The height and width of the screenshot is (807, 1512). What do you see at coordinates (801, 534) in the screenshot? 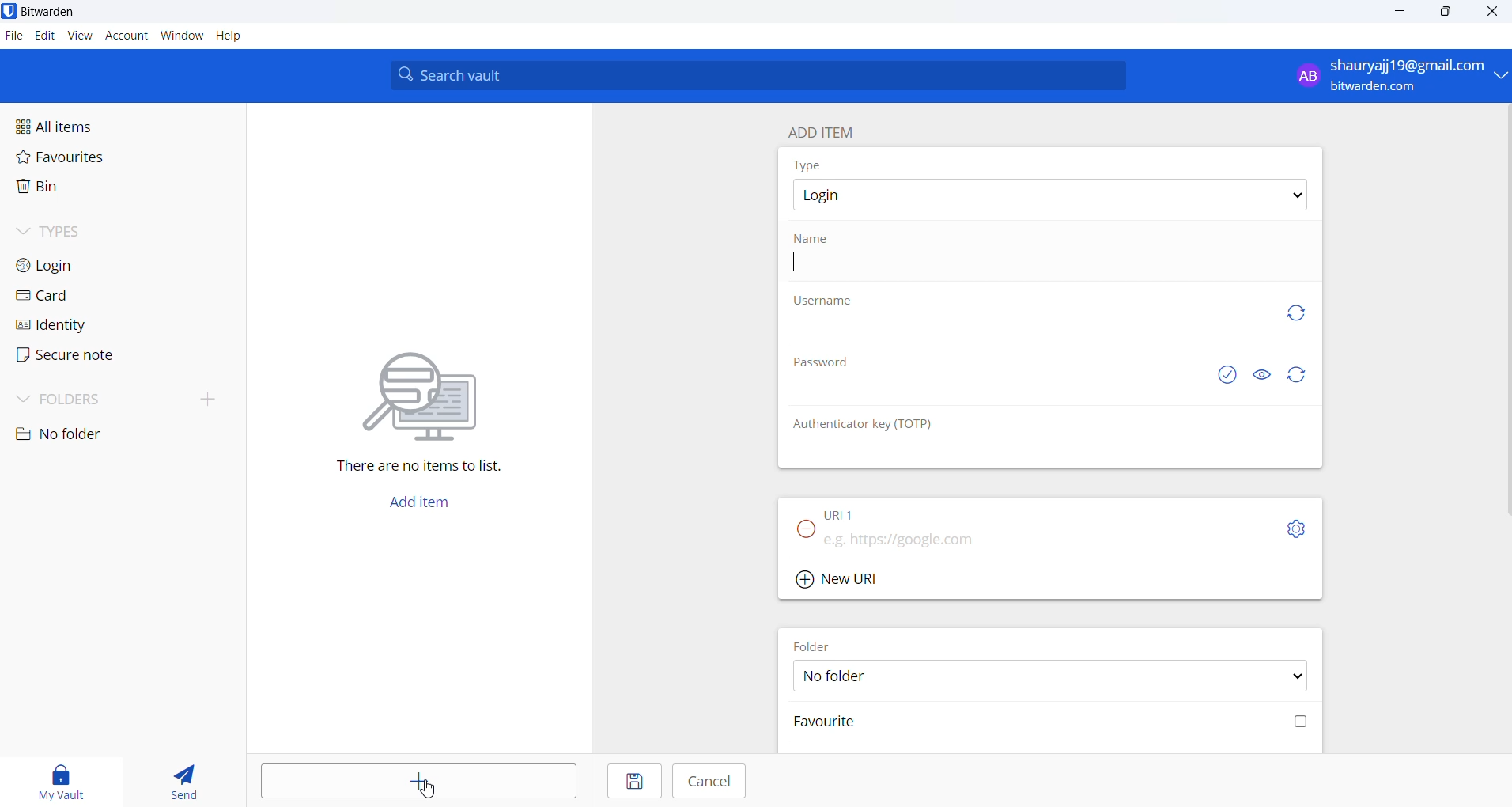
I see `Remove URL` at bounding box center [801, 534].